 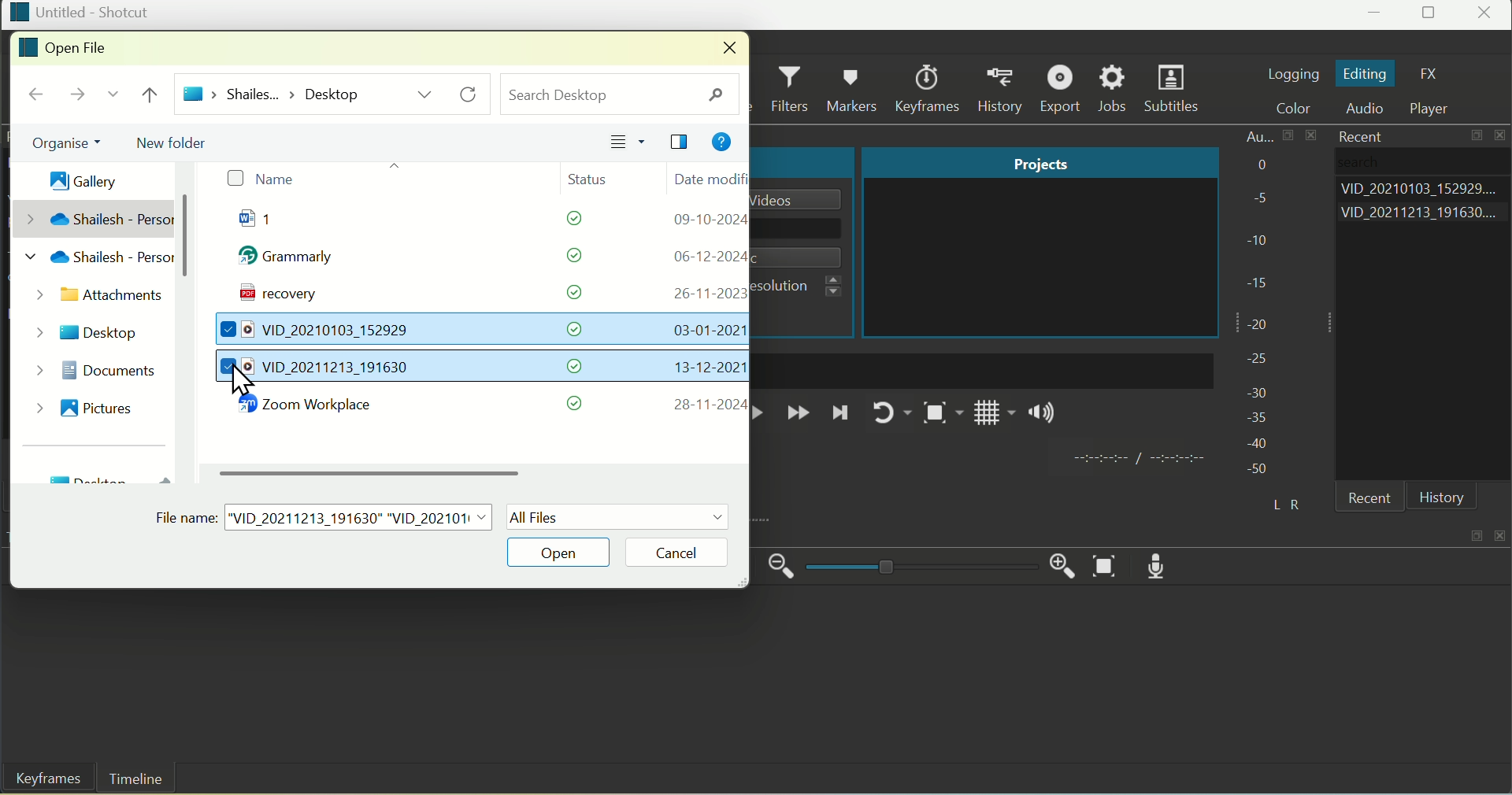 What do you see at coordinates (1063, 88) in the screenshot?
I see `Export` at bounding box center [1063, 88].